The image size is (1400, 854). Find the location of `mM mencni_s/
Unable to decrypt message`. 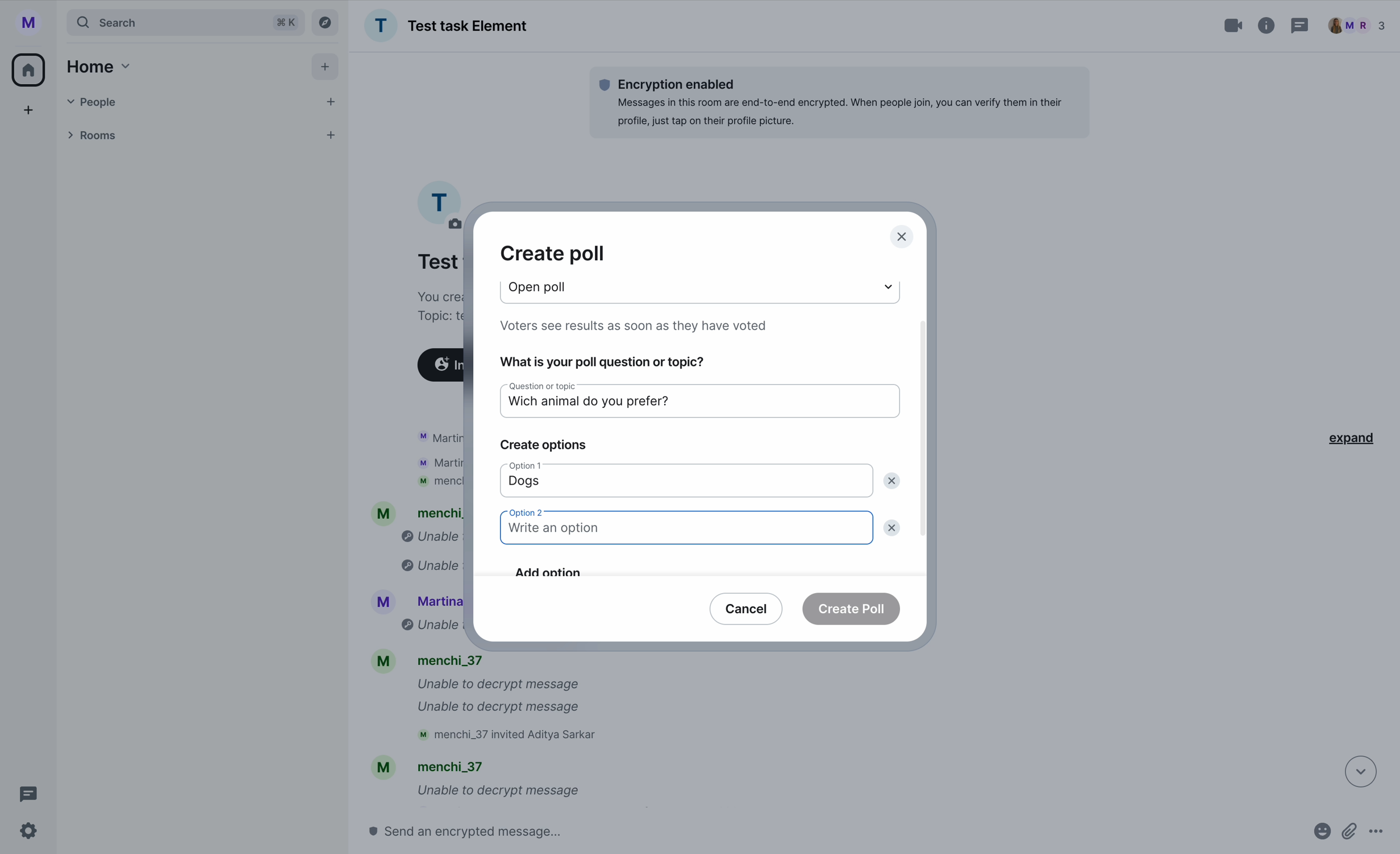

mM mencni_s/
Unable to decrypt message is located at coordinates (475, 781).